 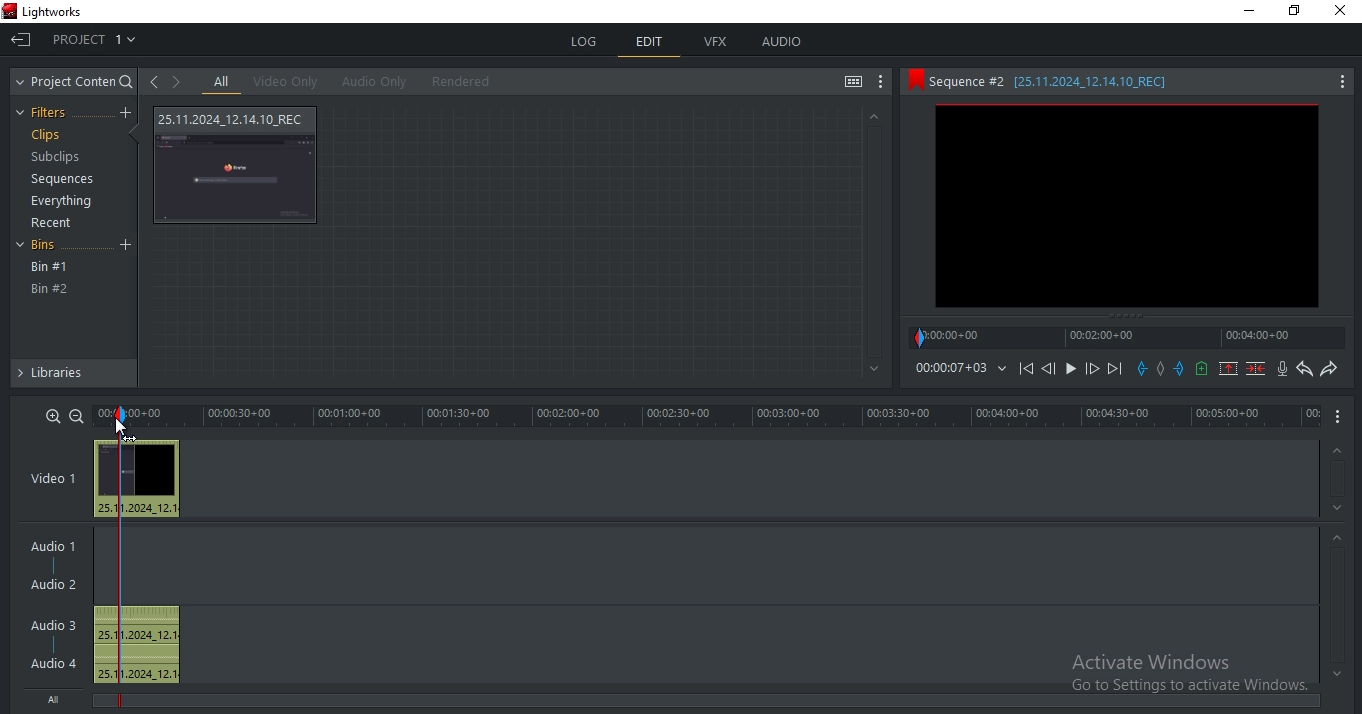 What do you see at coordinates (1071, 368) in the screenshot?
I see `Play` at bounding box center [1071, 368].